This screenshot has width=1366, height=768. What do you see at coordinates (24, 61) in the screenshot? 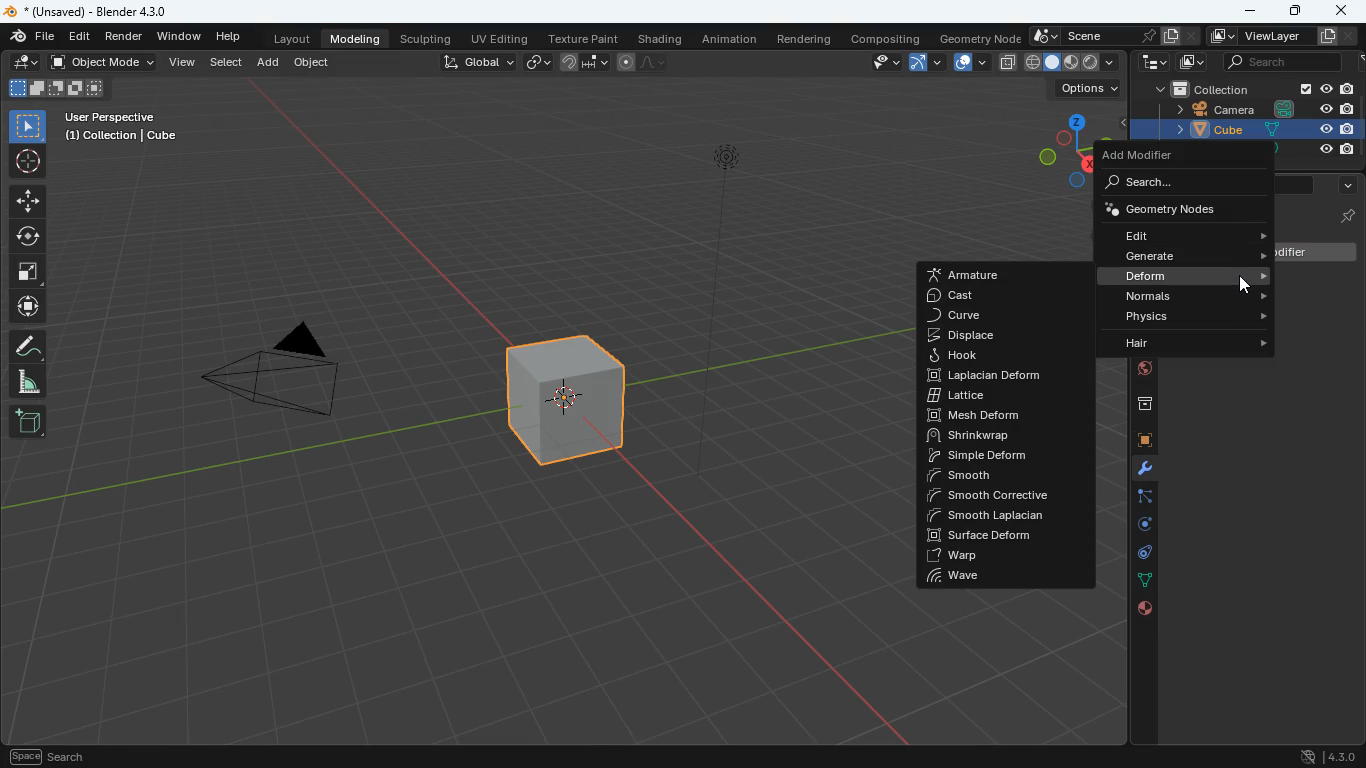
I see `edit` at bounding box center [24, 61].